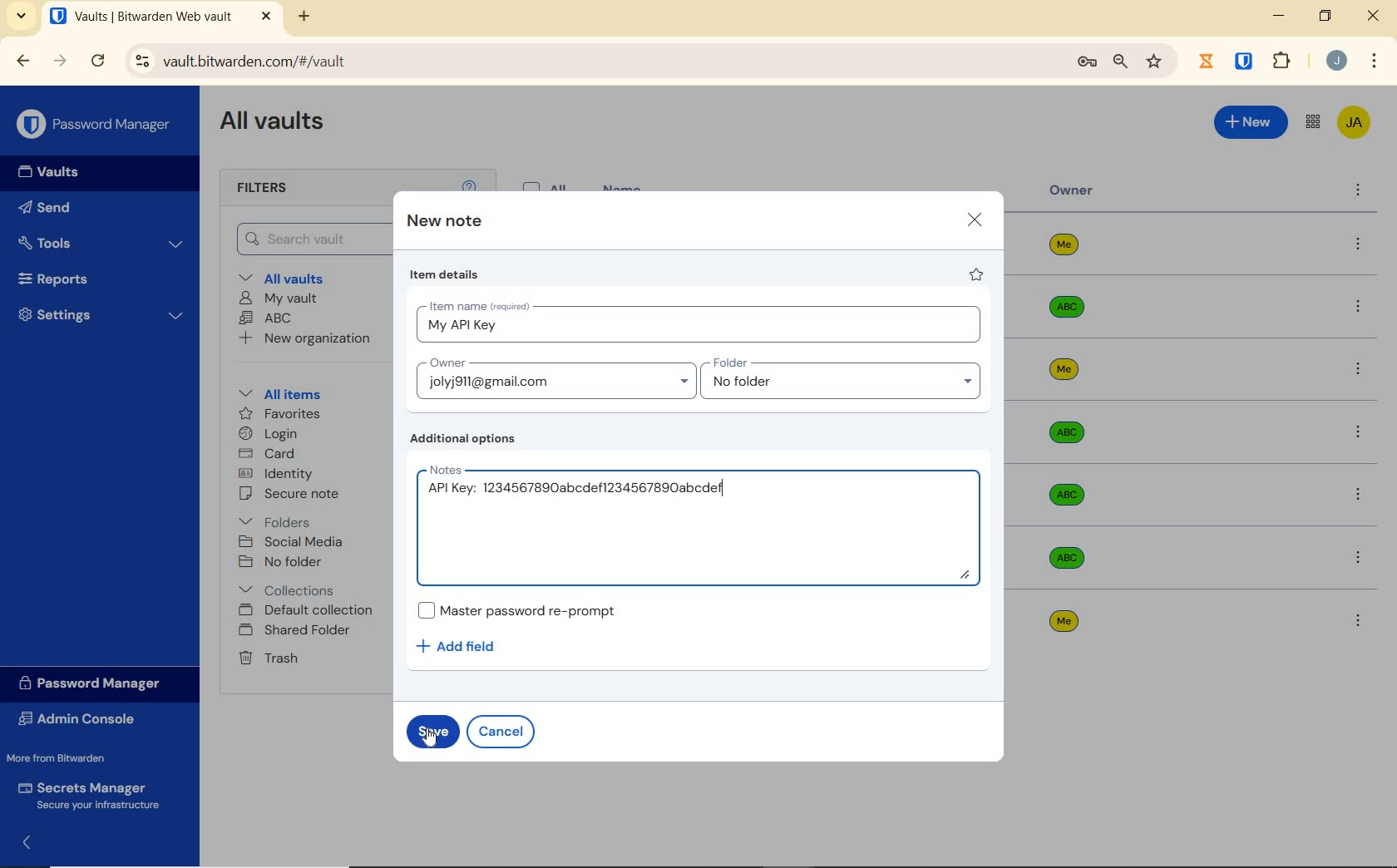 The width and height of the screenshot is (1397, 868). What do you see at coordinates (311, 238) in the screenshot?
I see `Search Vault` at bounding box center [311, 238].